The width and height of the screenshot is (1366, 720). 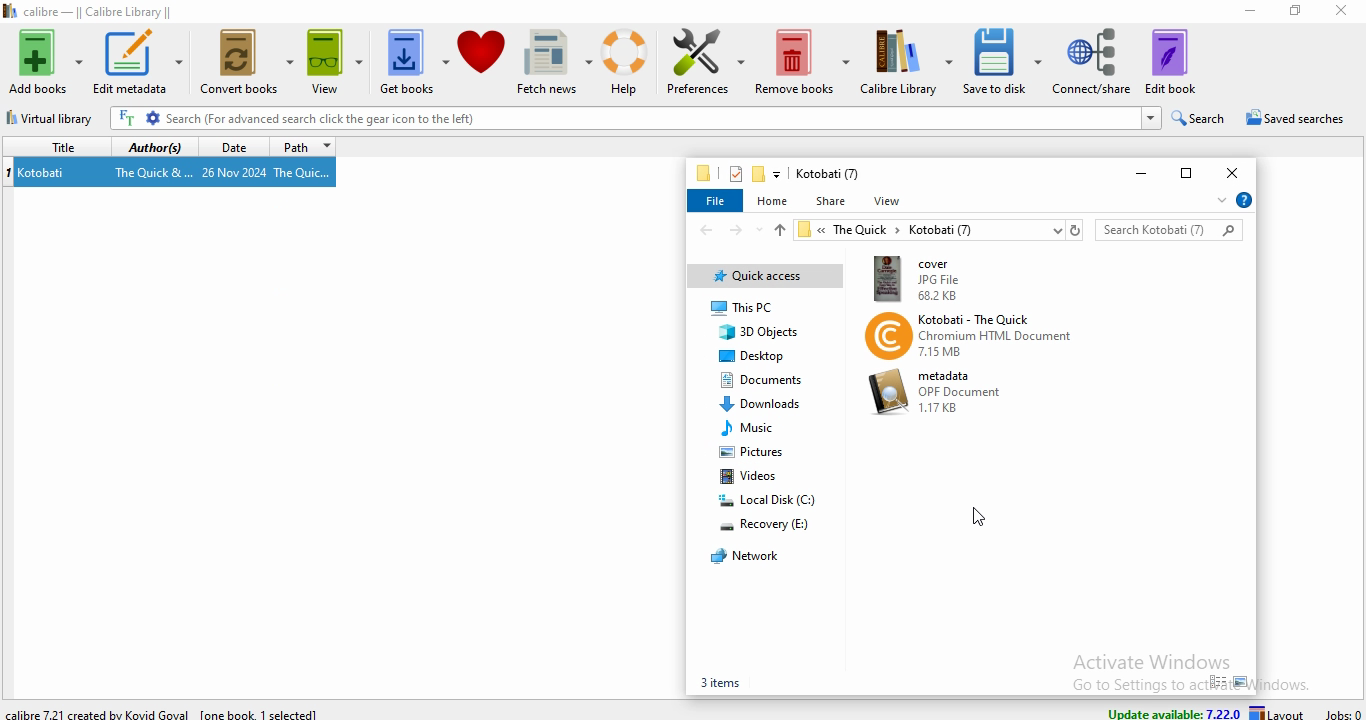 What do you see at coordinates (890, 201) in the screenshot?
I see `view` at bounding box center [890, 201].